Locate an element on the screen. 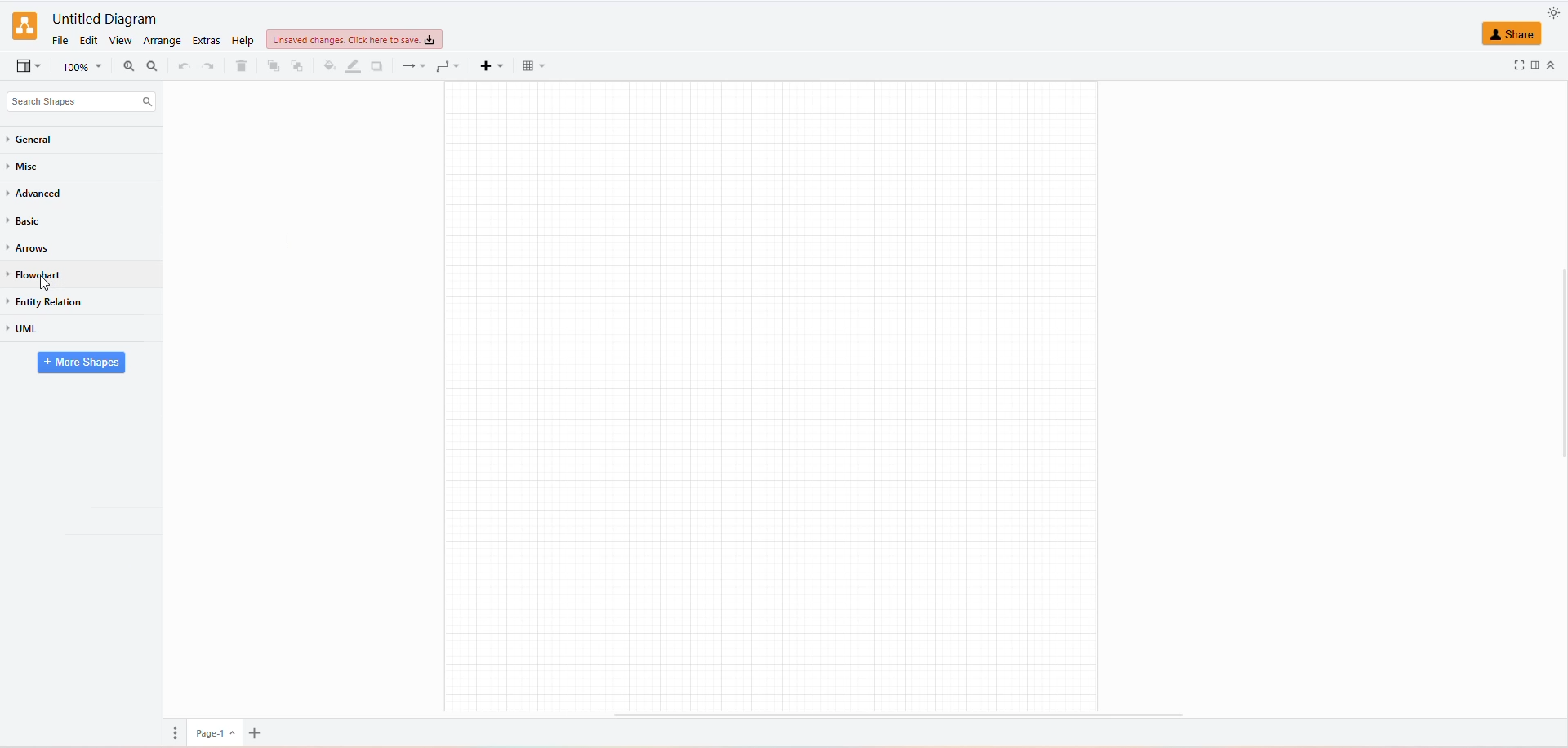 This screenshot has height=748, width=1568. TO FRONT is located at coordinates (271, 66).